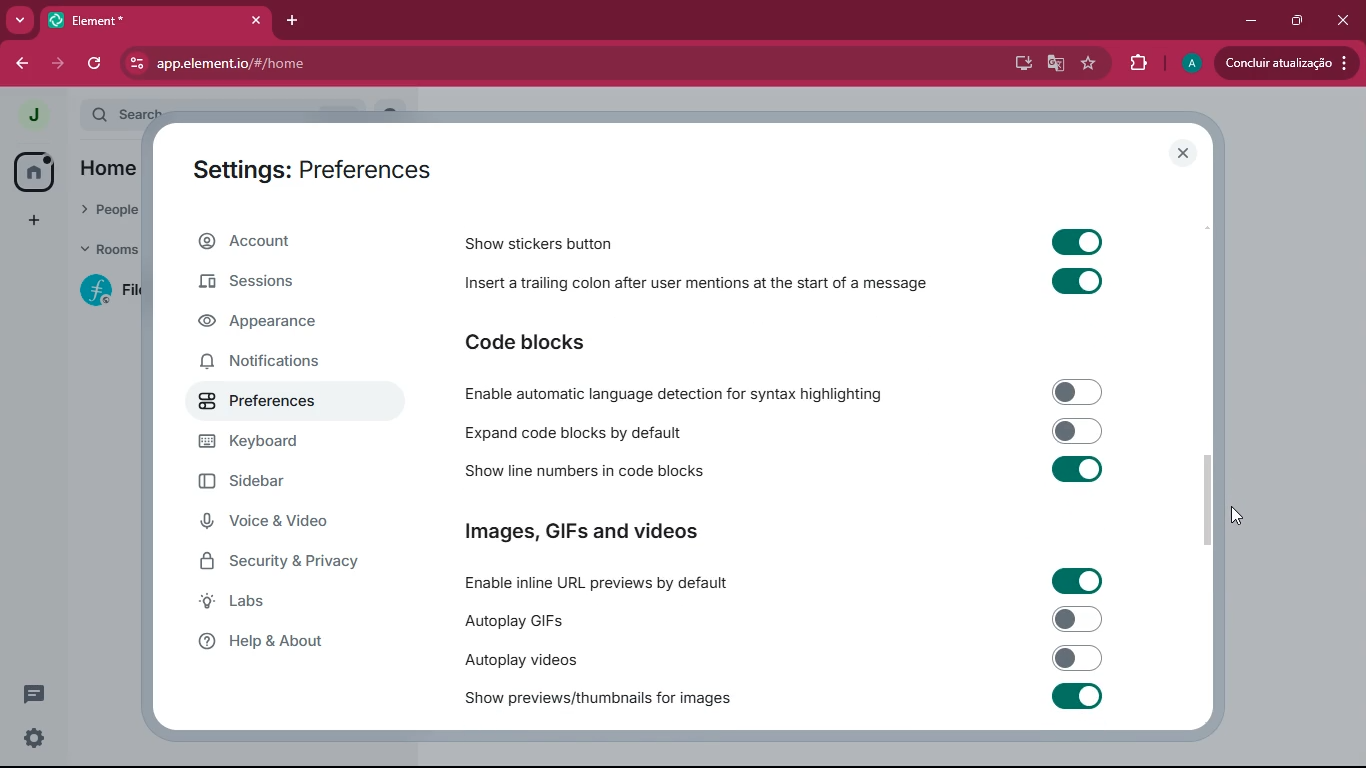  What do you see at coordinates (277, 246) in the screenshot?
I see `account` at bounding box center [277, 246].